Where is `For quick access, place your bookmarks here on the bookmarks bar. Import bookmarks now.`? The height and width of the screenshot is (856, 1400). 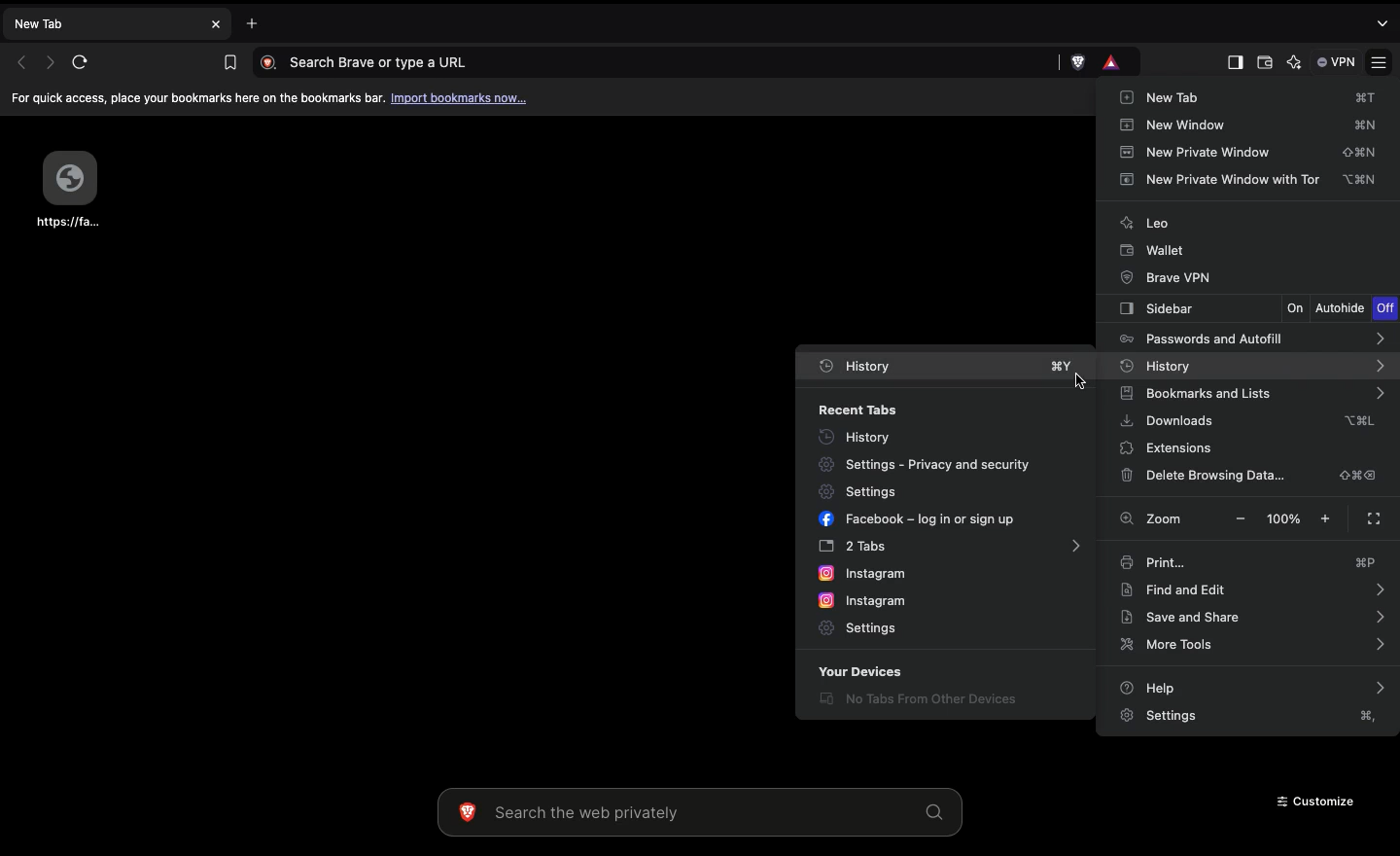 For quick access, place your bookmarks here on the bookmarks bar. Import bookmarks now. is located at coordinates (273, 98).